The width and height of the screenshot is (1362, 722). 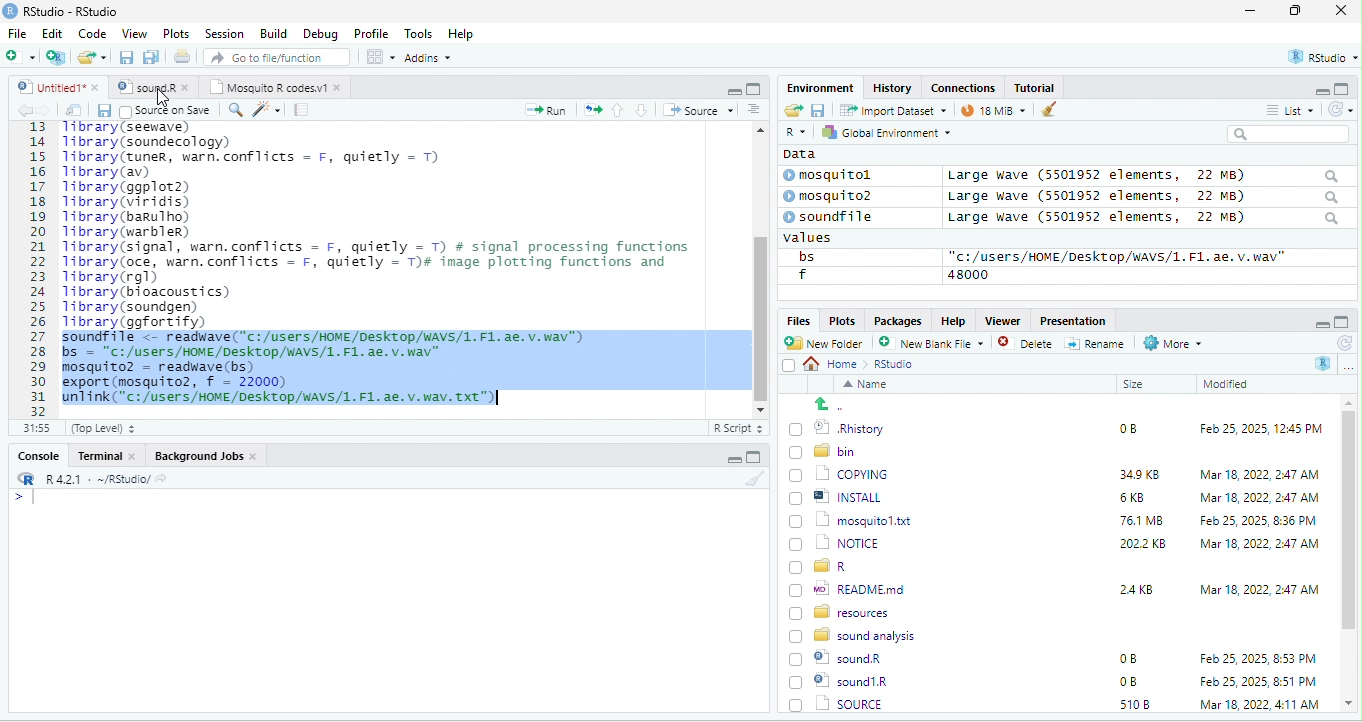 I want to click on Feb 25, 2025, 8:51 PM, so click(x=1259, y=659).